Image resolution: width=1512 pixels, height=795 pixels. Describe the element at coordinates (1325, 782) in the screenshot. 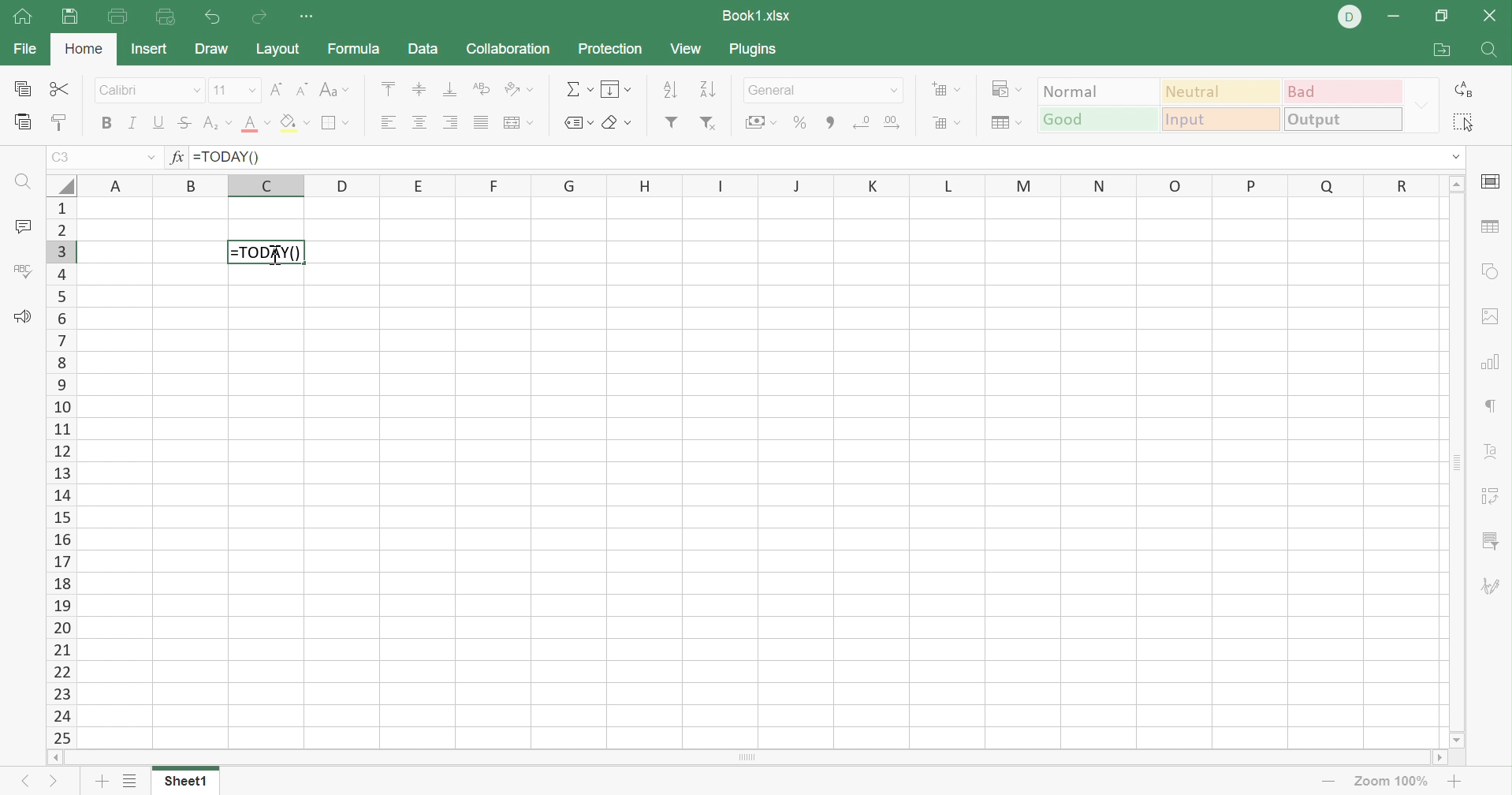

I see `Zoom out` at that location.